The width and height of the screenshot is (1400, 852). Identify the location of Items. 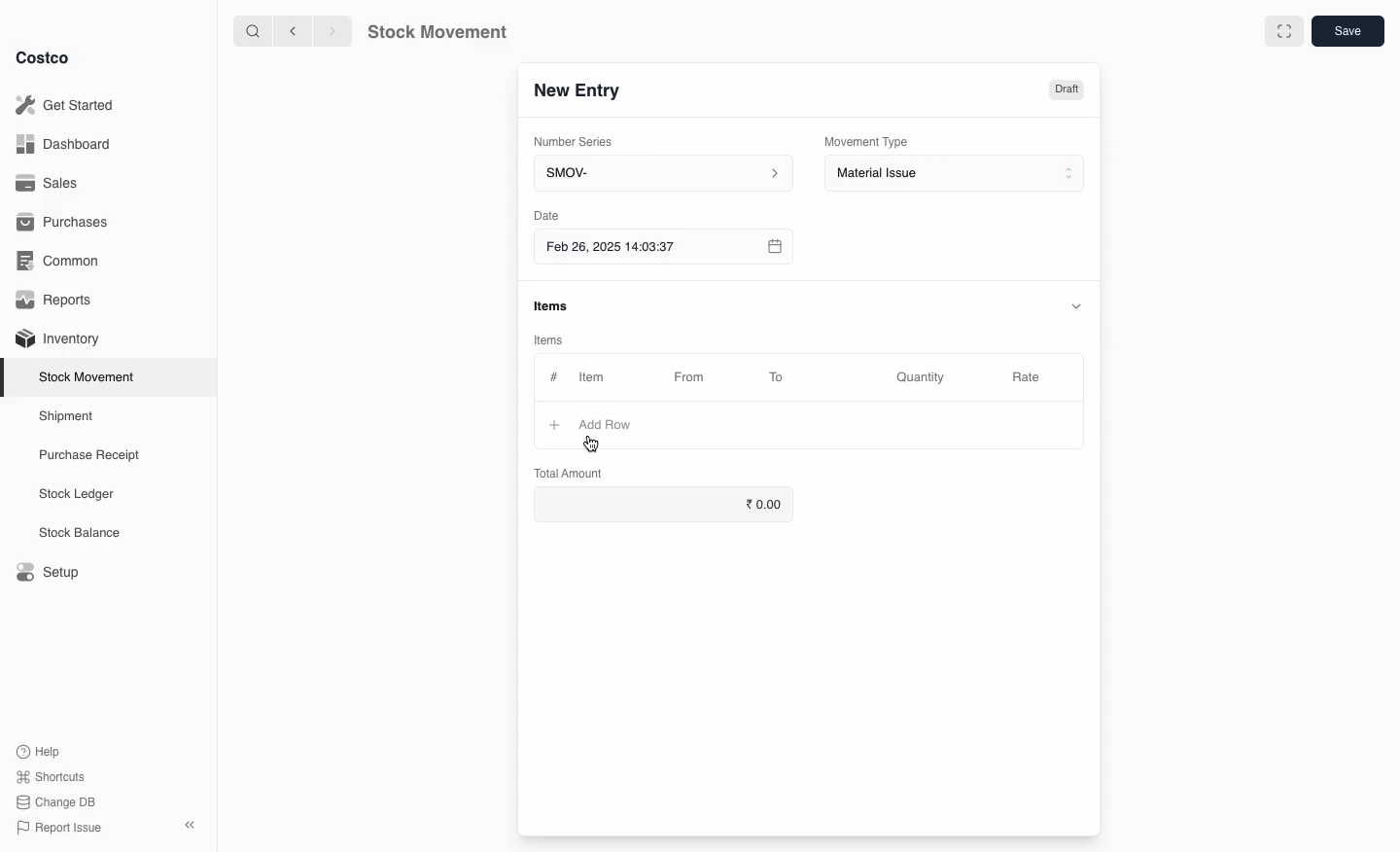
(546, 339).